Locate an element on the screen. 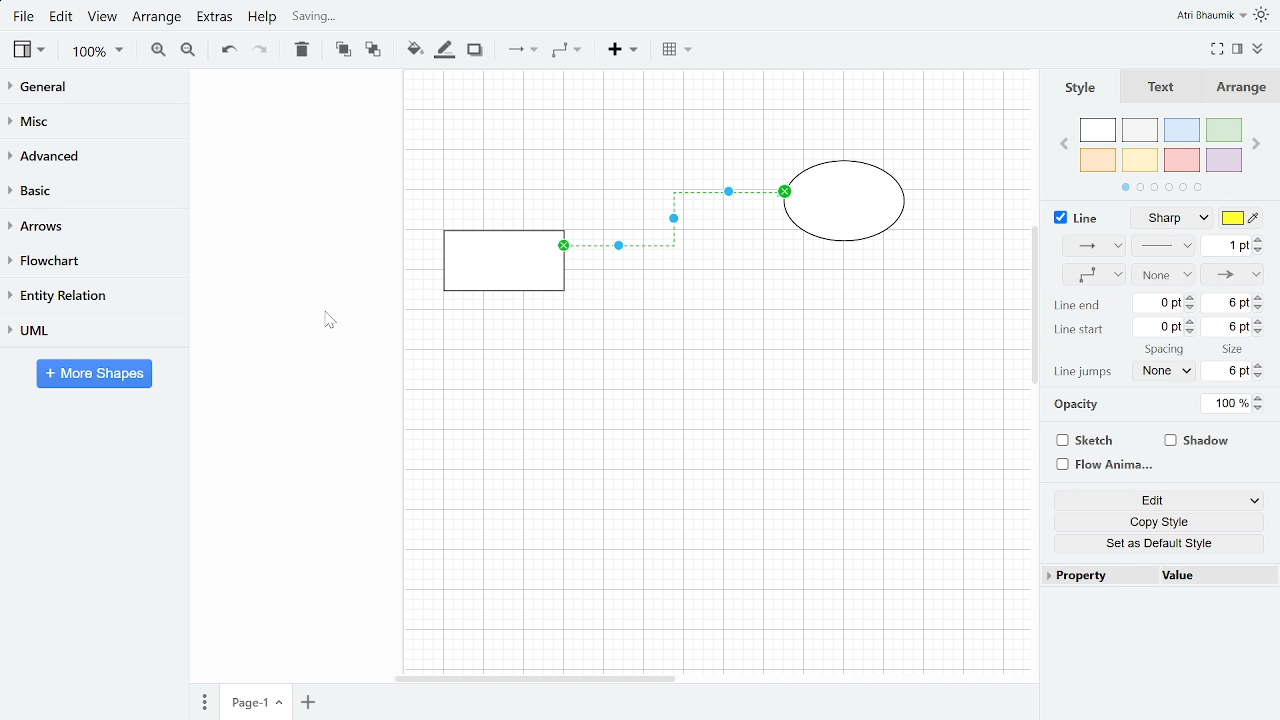  Cursor is located at coordinates (326, 320).